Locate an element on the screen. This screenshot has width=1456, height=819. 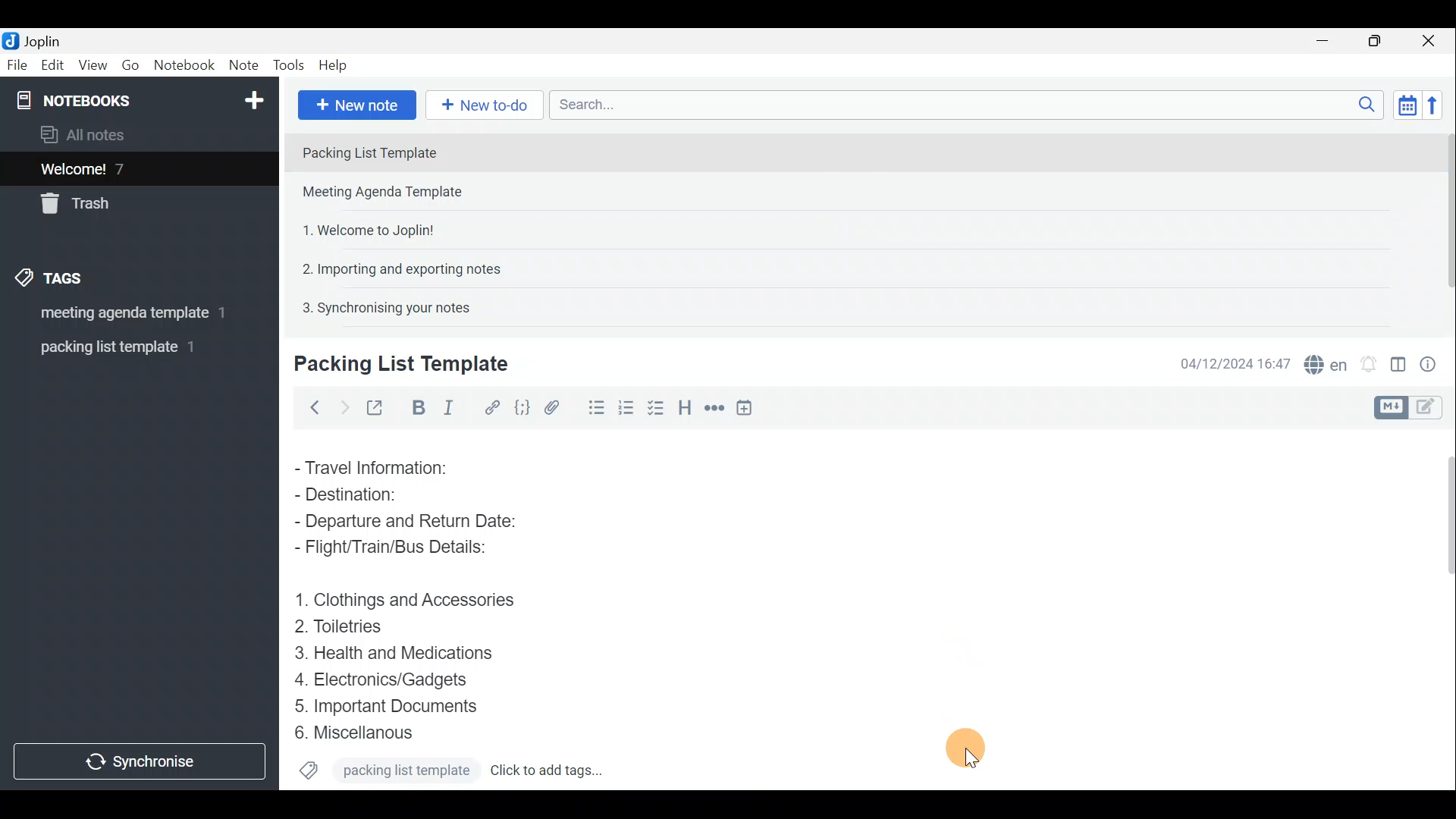
Health and Medications is located at coordinates (403, 654).